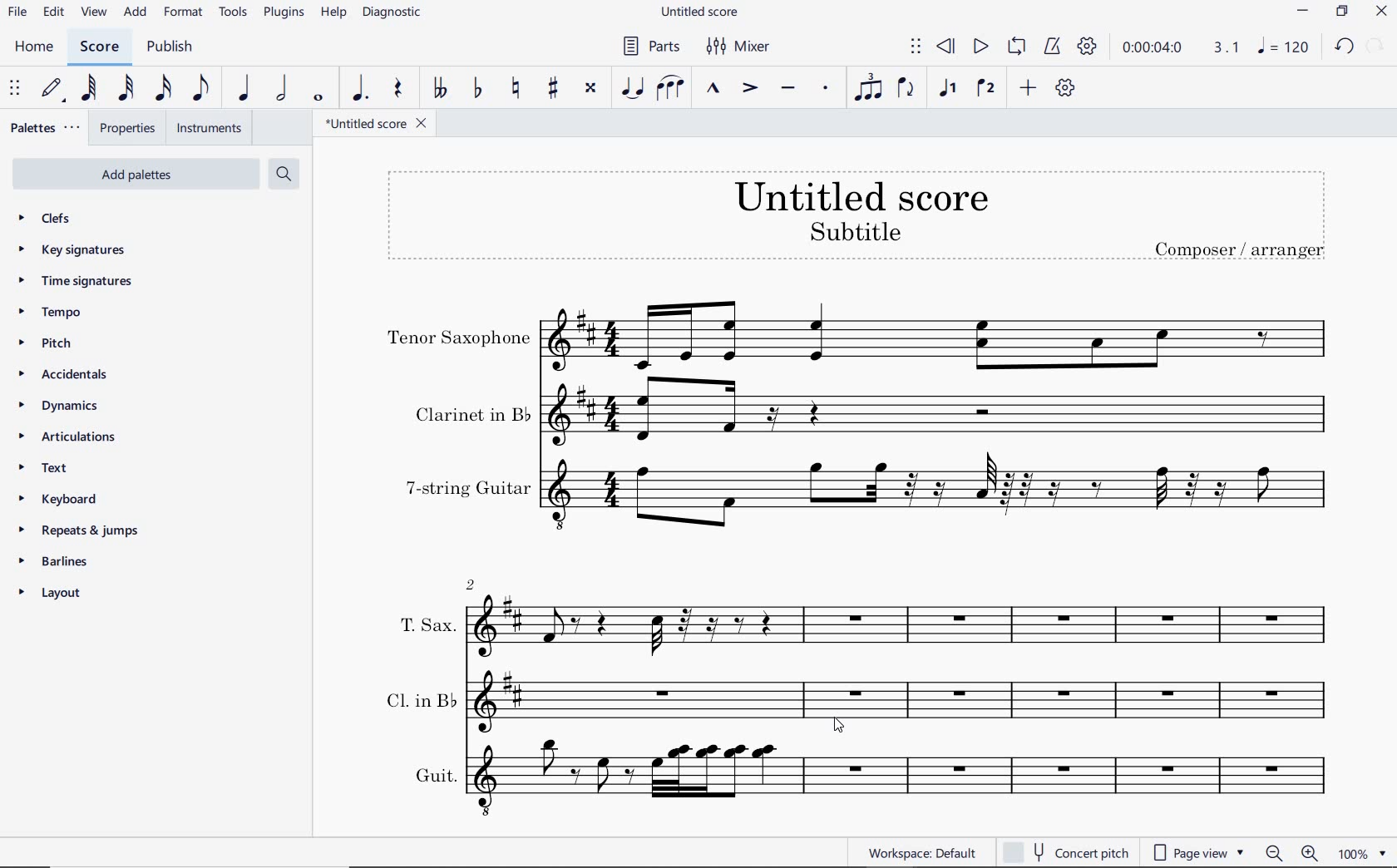 The width and height of the screenshot is (1397, 868). Describe the element at coordinates (1054, 47) in the screenshot. I see `METRONOME` at that location.